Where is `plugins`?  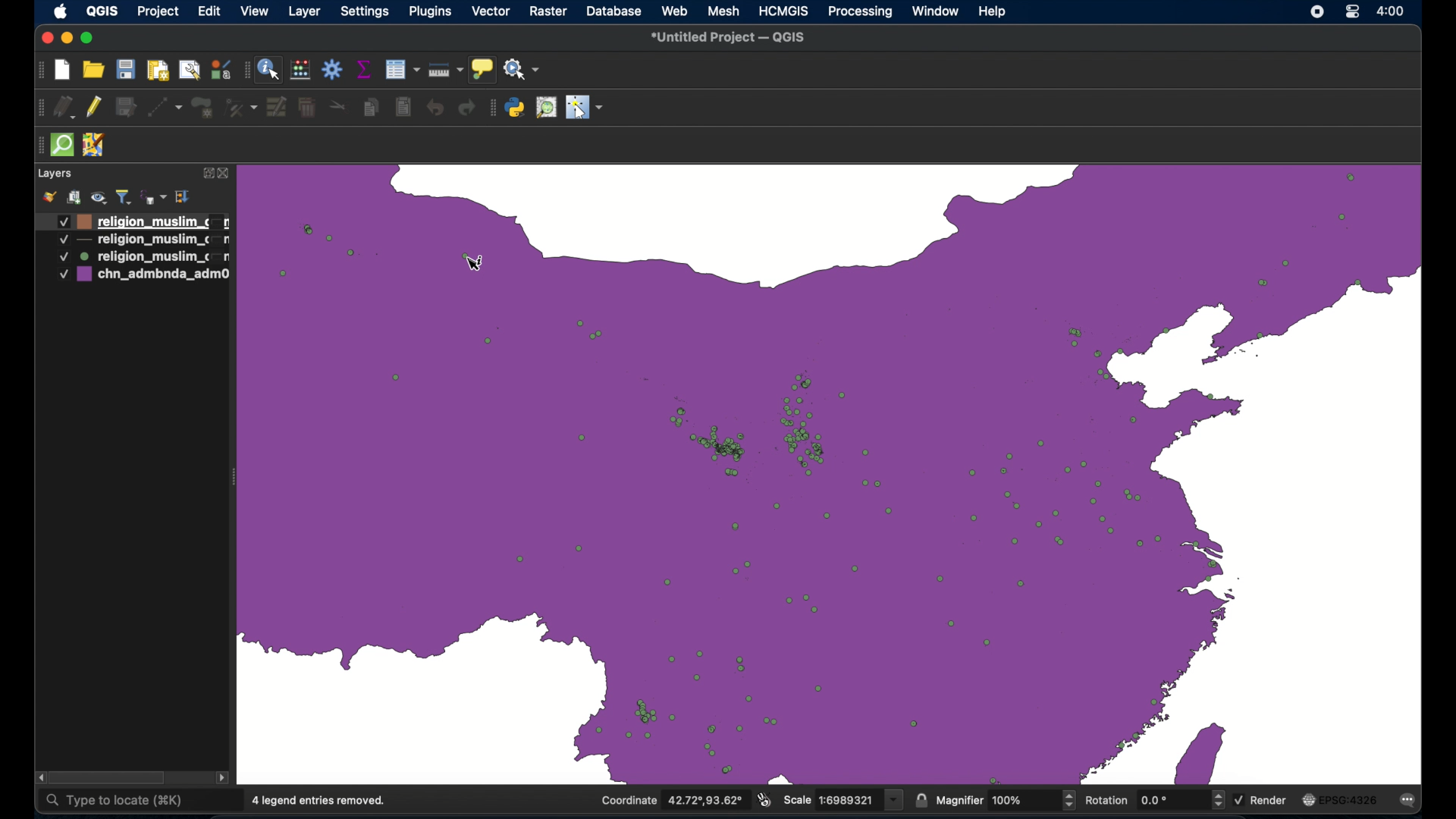 plugins is located at coordinates (429, 11).